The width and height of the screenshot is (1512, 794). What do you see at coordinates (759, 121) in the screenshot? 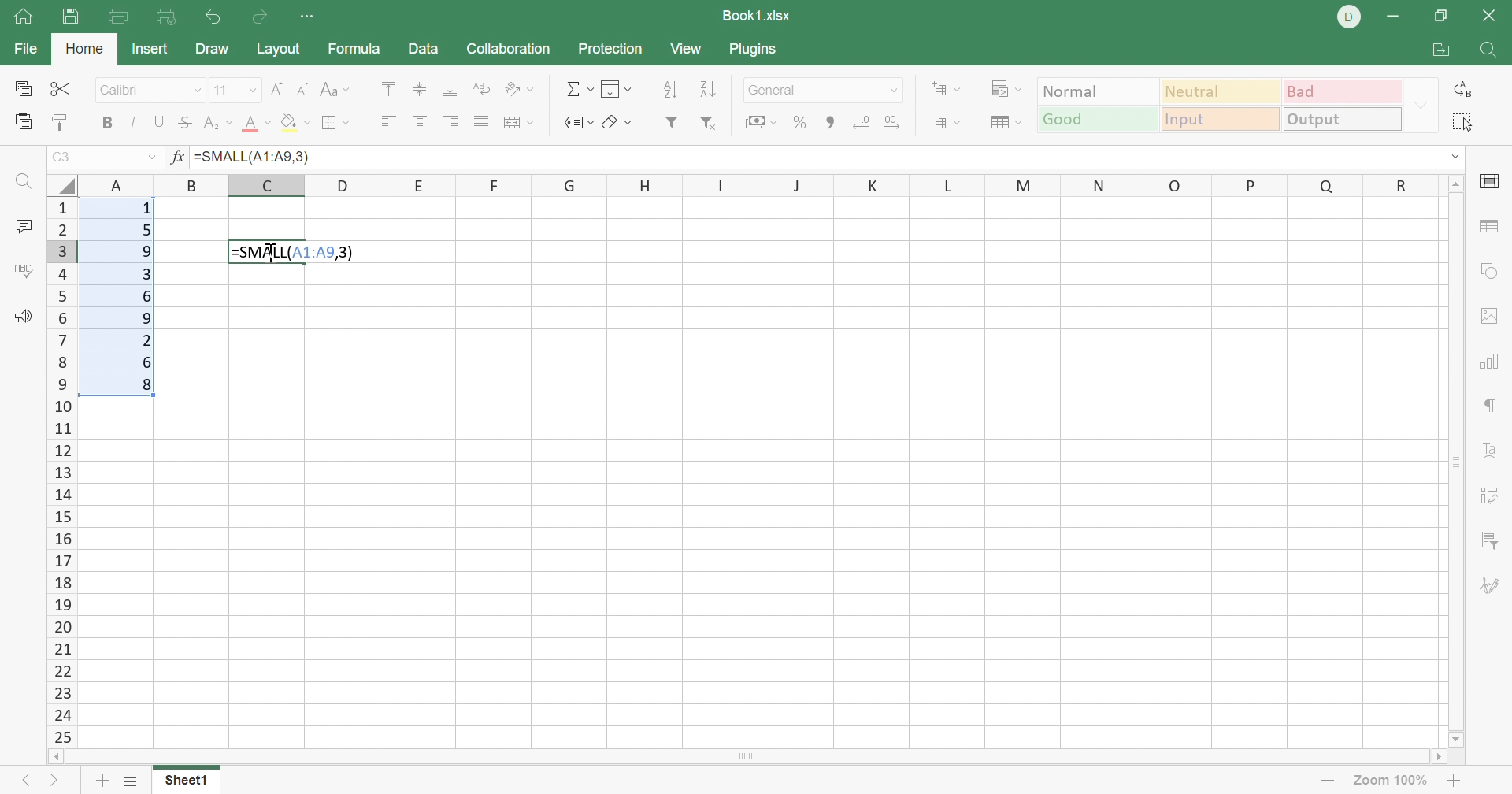
I see `Accounting style` at bounding box center [759, 121].